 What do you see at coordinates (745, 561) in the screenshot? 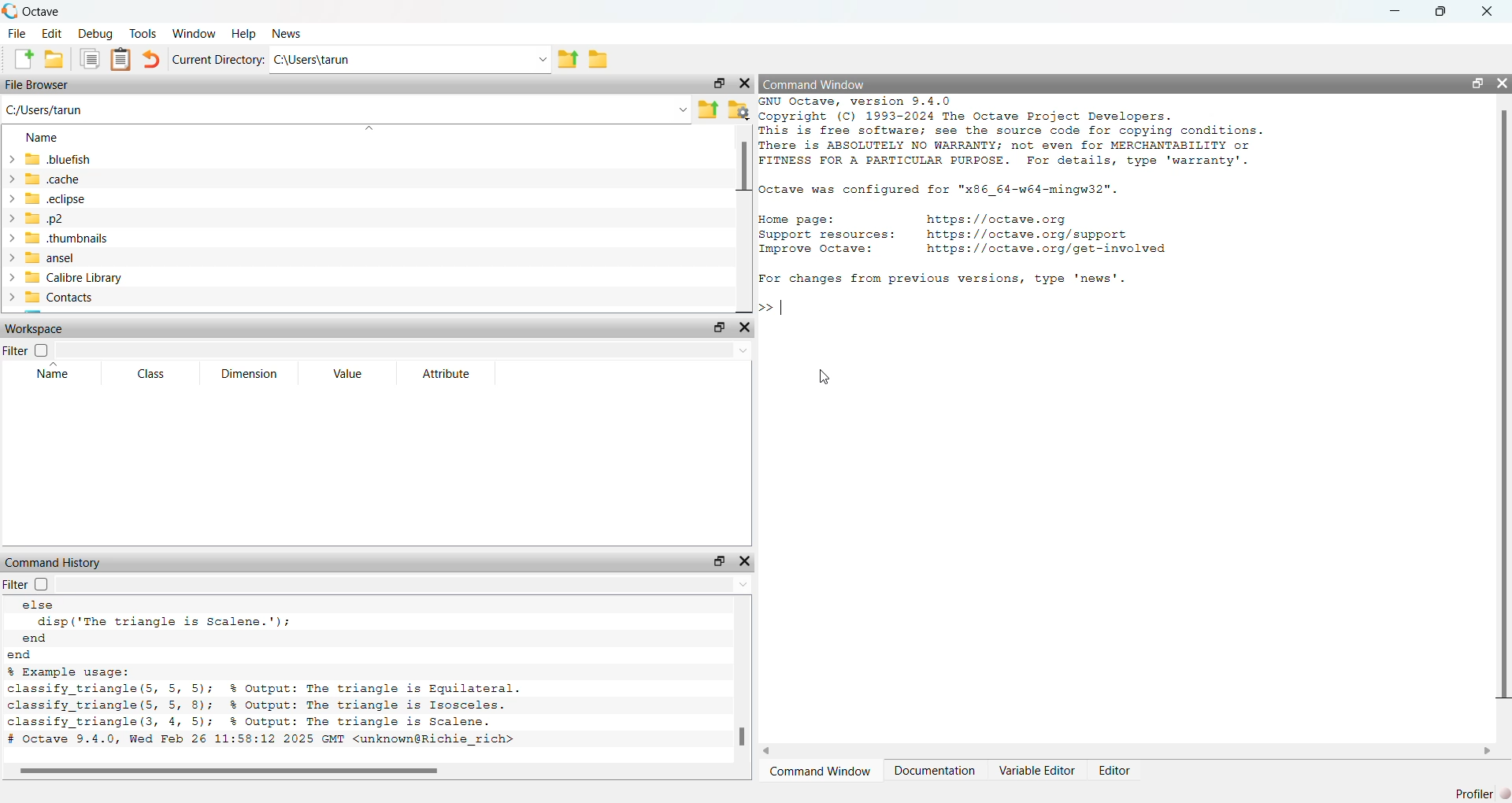
I see `hide widget` at bounding box center [745, 561].